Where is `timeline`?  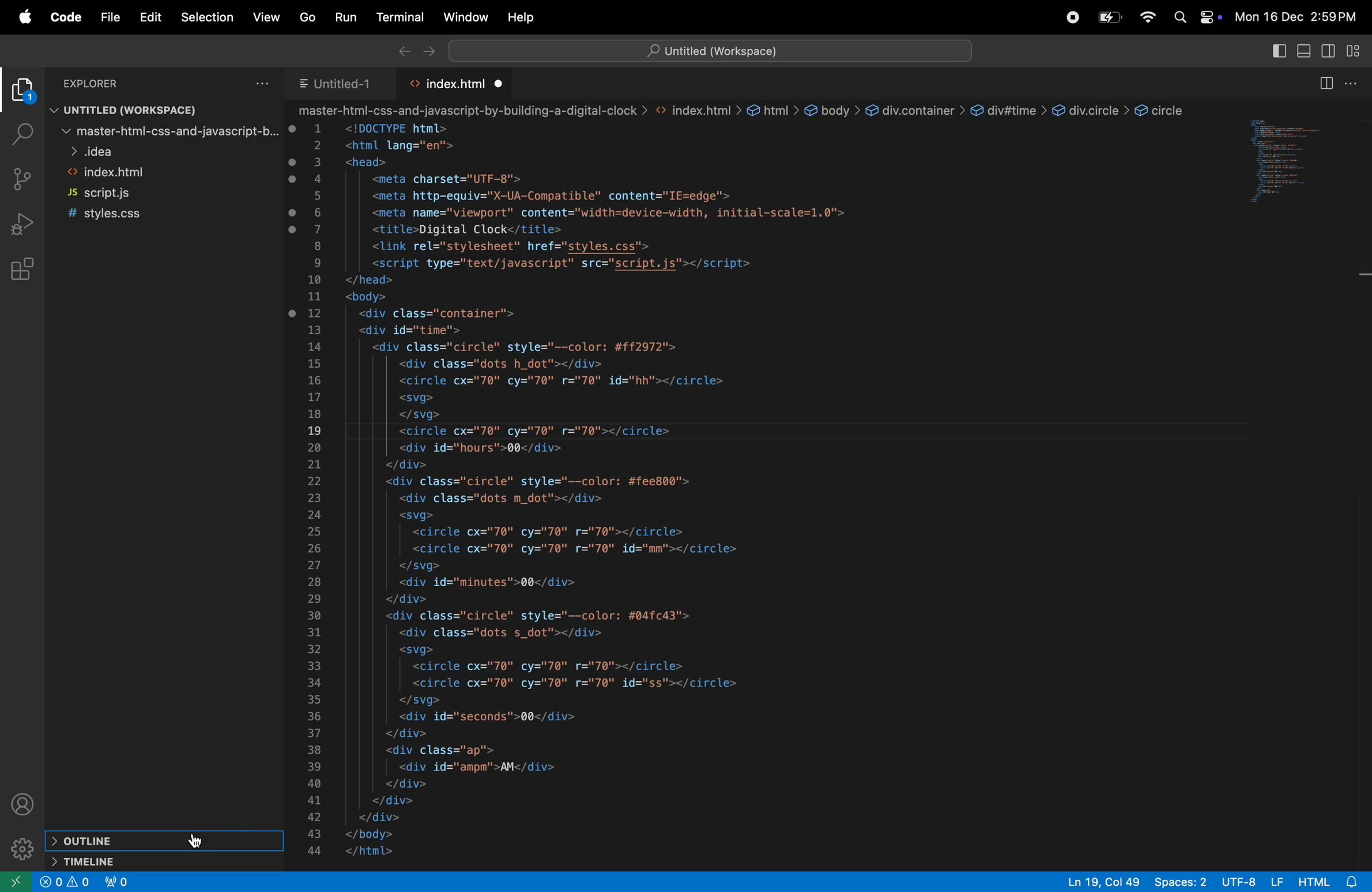 timeline is located at coordinates (167, 861).